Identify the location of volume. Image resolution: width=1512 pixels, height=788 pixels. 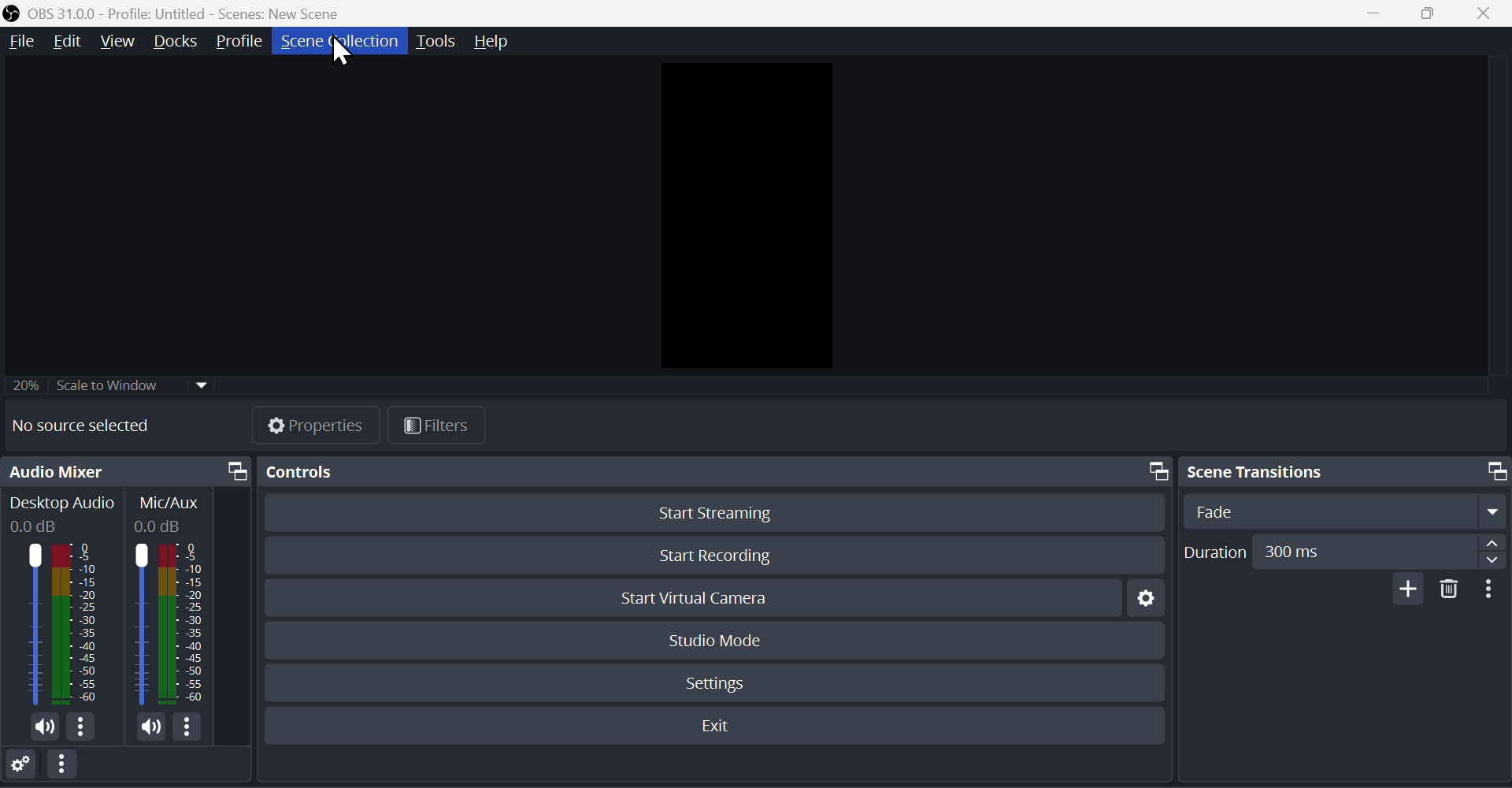
(142, 726).